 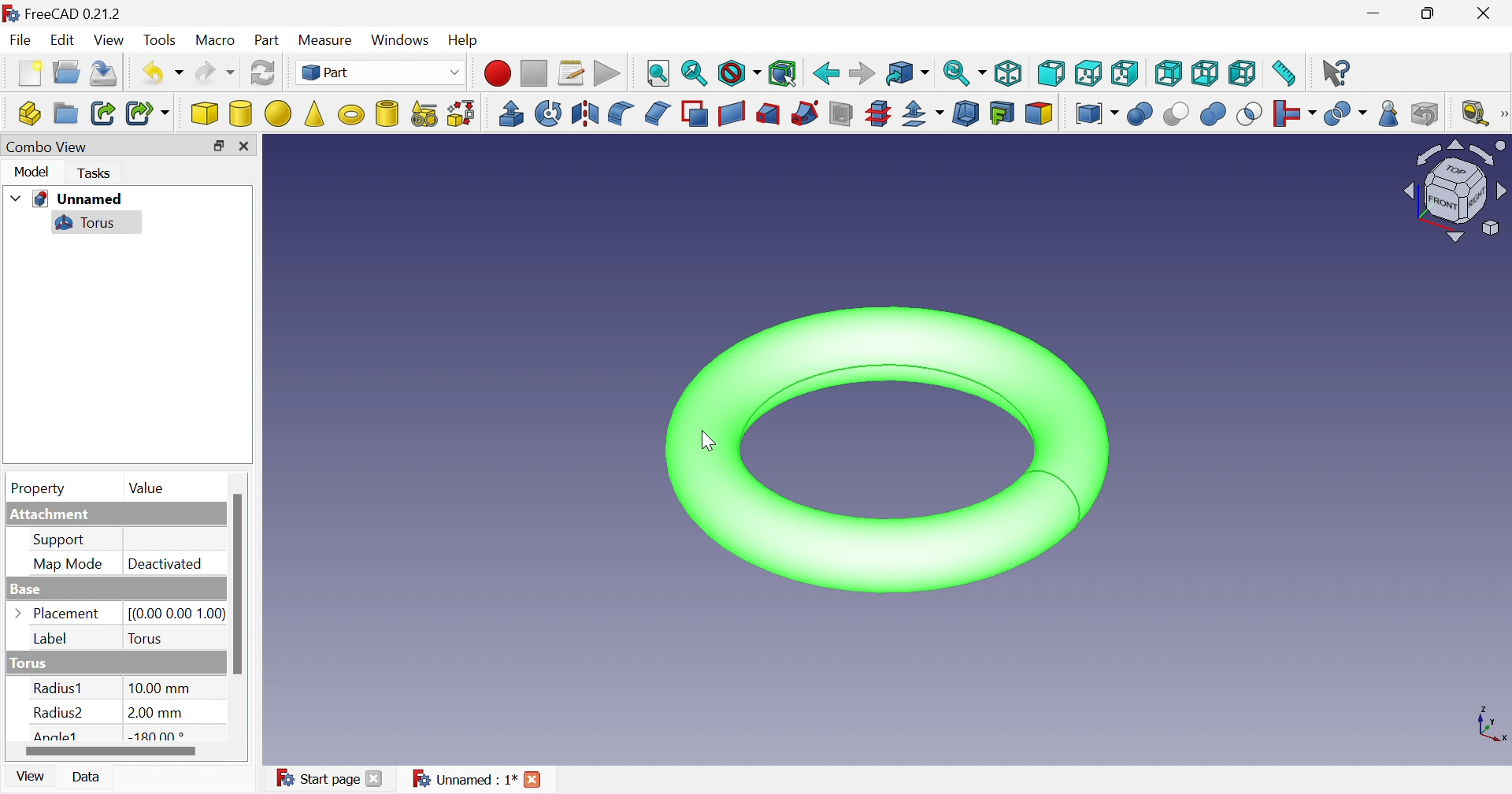 What do you see at coordinates (1249, 114) in the screenshot?
I see `Intersection` at bounding box center [1249, 114].